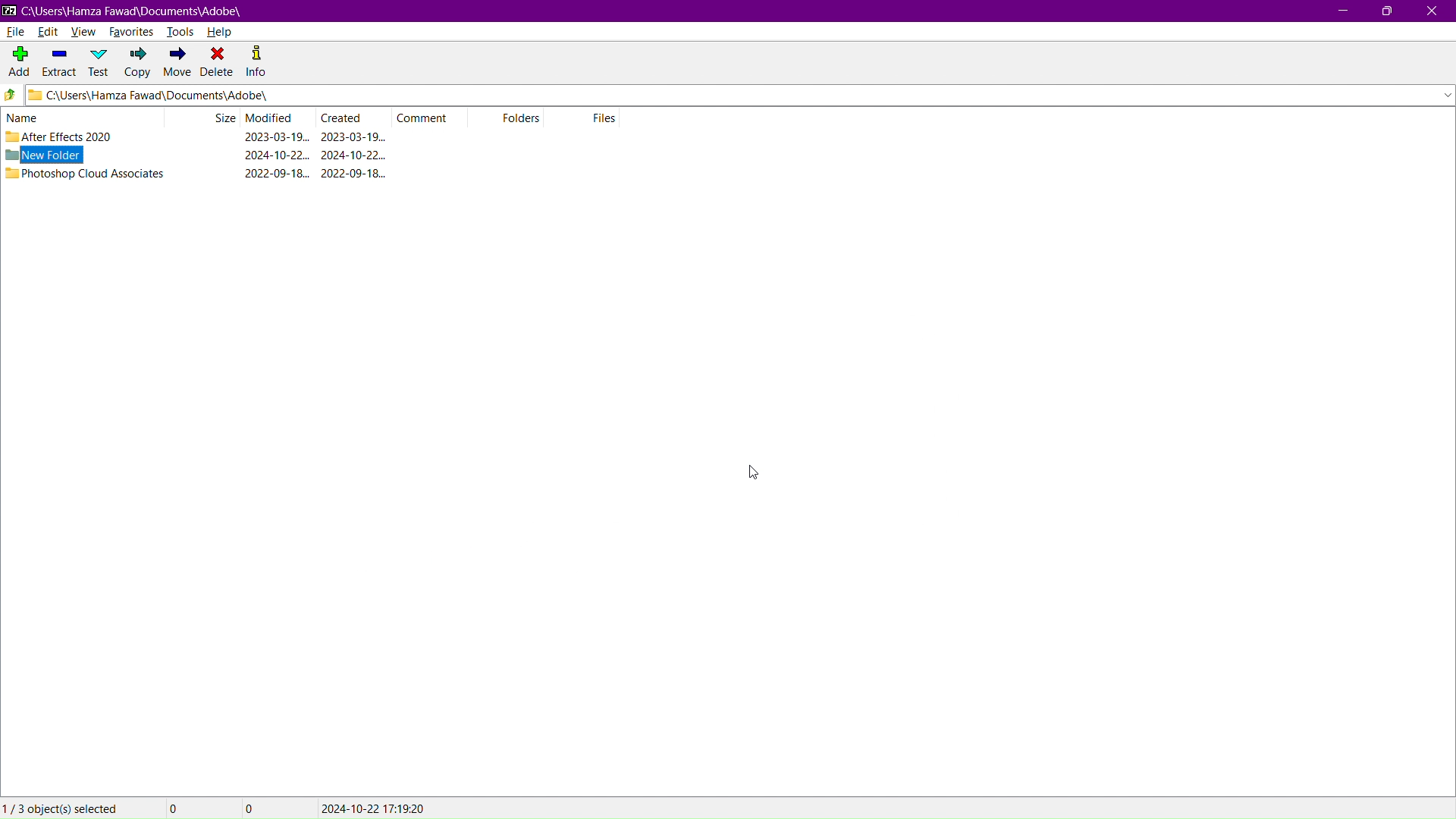 The width and height of the screenshot is (1456, 819). What do you see at coordinates (1386, 11) in the screenshot?
I see `Maximize` at bounding box center [1386, 11].